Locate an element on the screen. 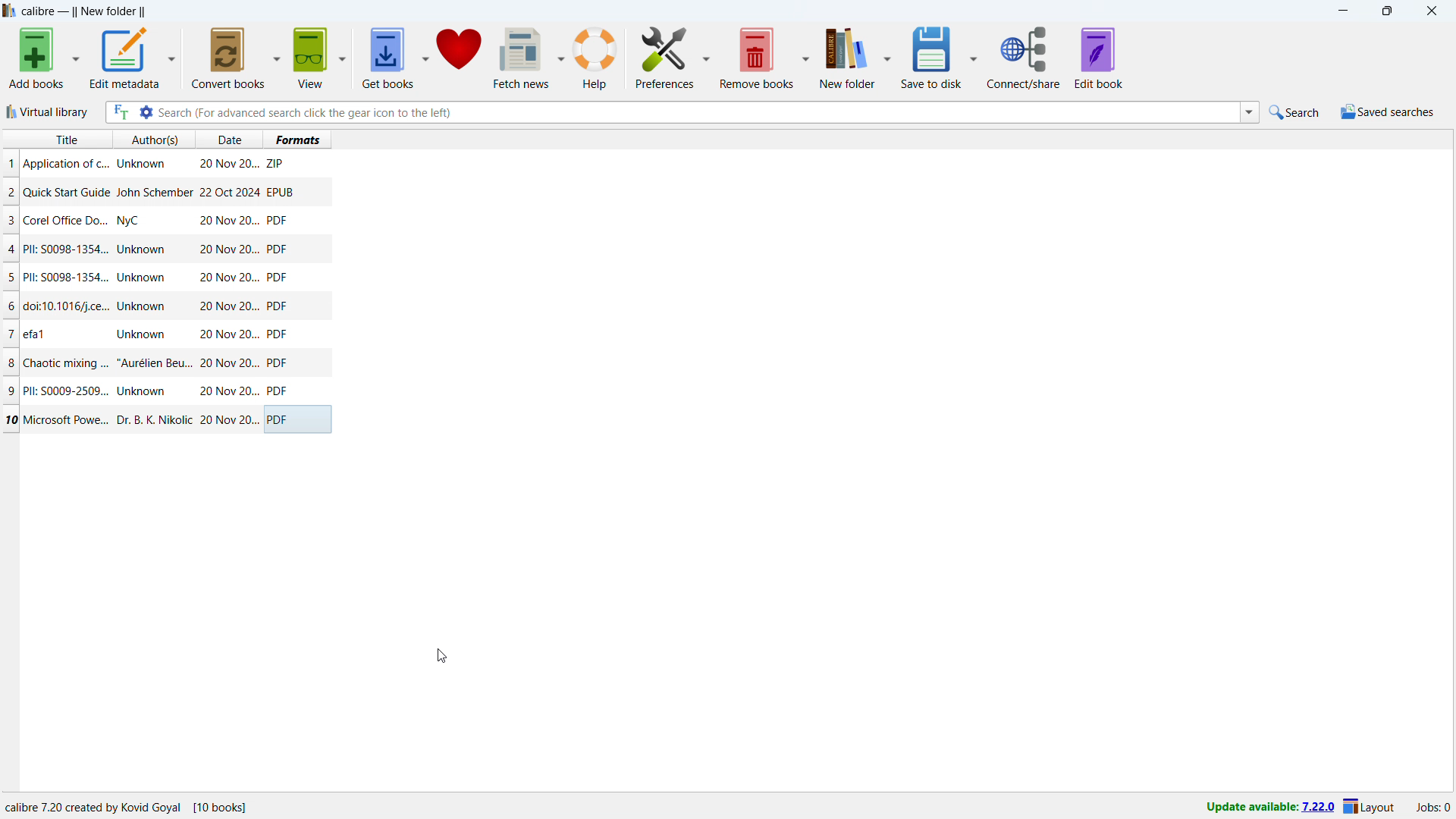 The image size is (1456, 819). 8 is located at coordinates (11, 363).